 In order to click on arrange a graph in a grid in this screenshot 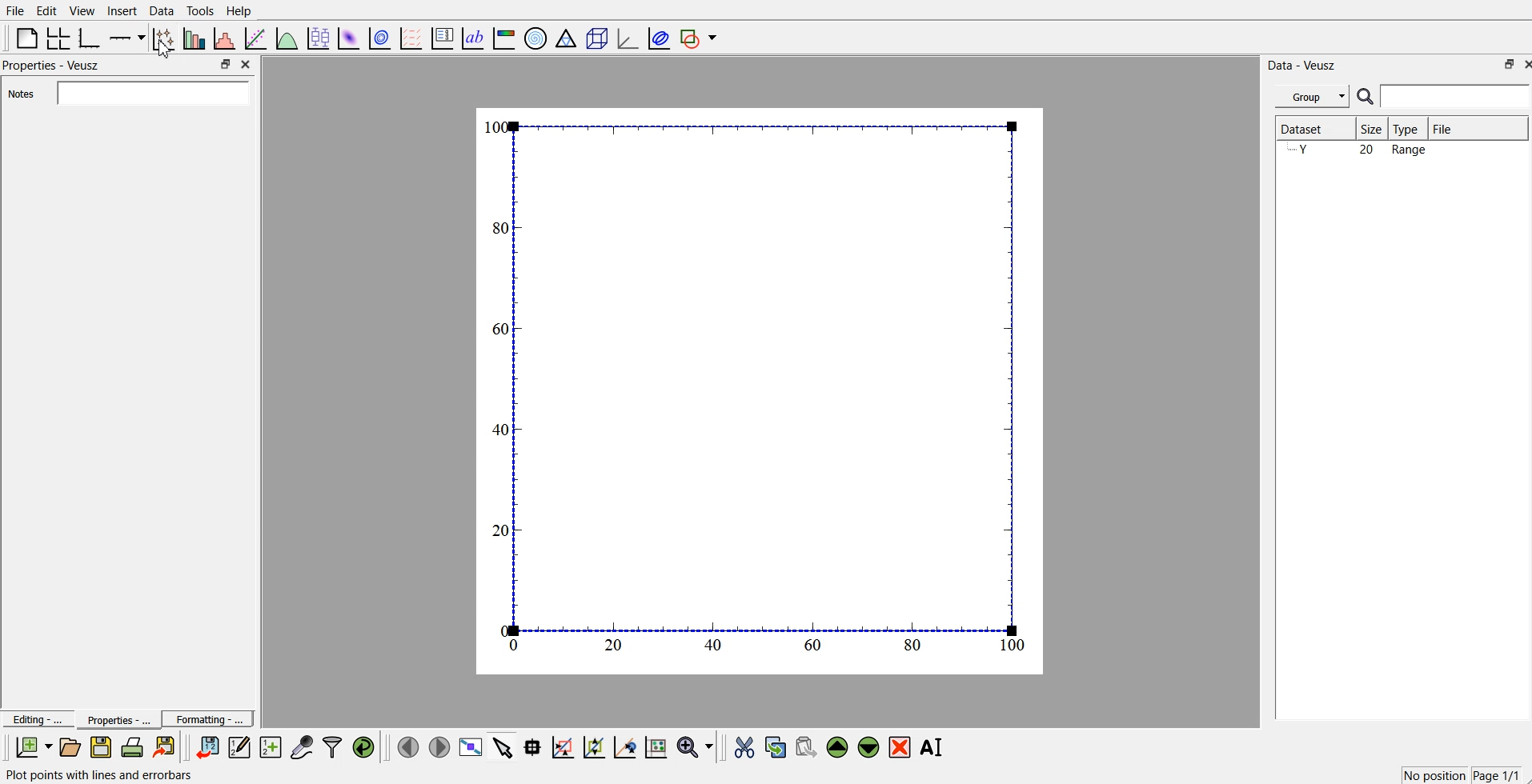, I will do `click(59, 37)`.